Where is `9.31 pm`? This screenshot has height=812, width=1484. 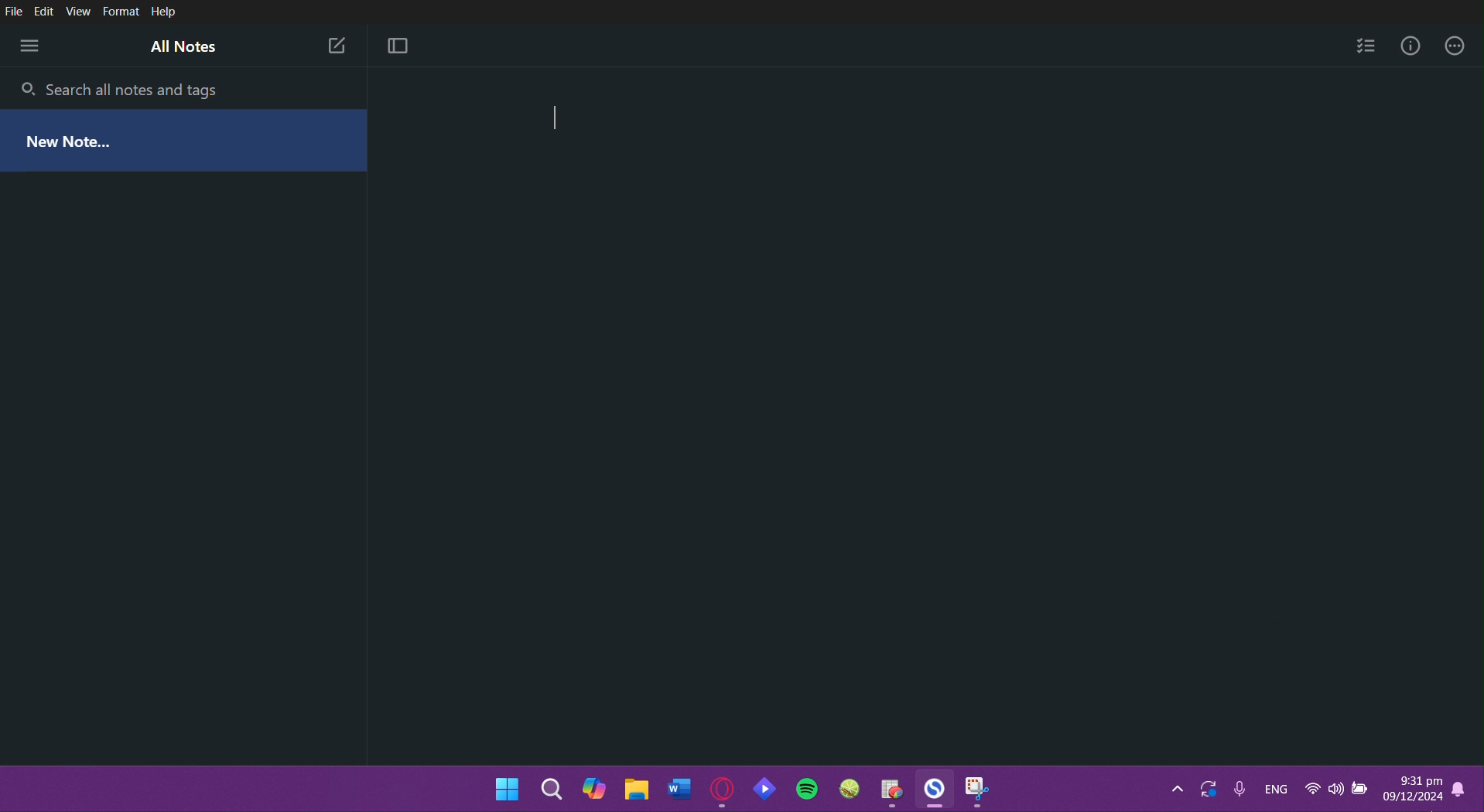
9.31 pm is located at coordinates (1414, 778).